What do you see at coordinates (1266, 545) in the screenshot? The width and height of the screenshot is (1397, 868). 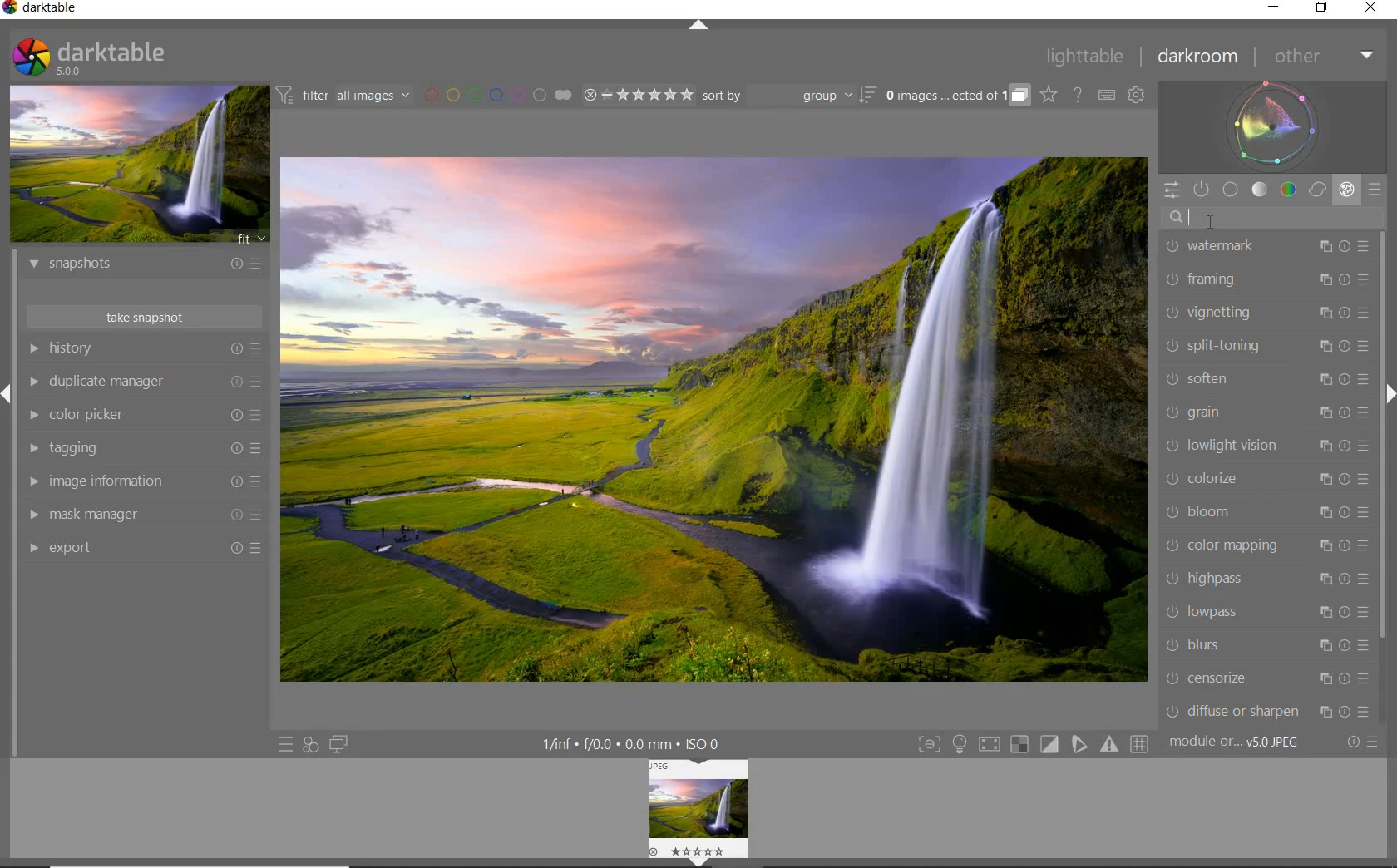 I see `color mapping` at bounding box center [1266, 545].